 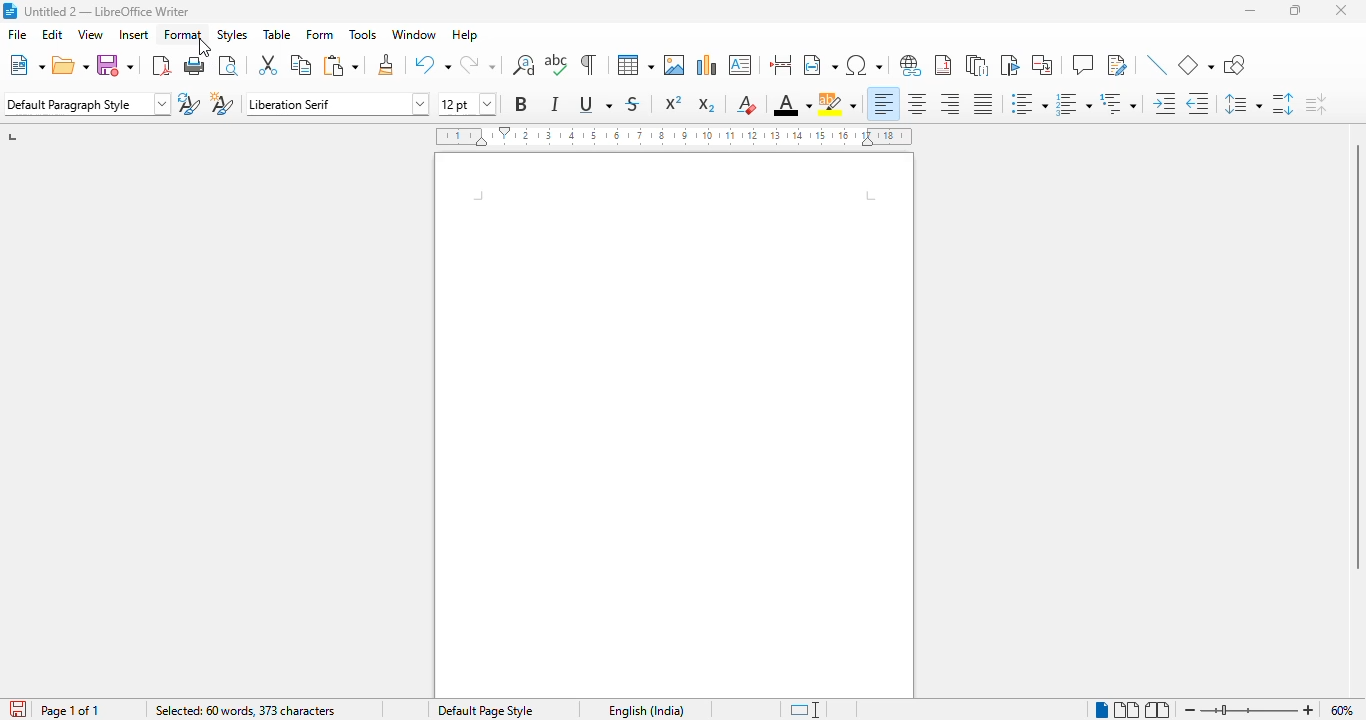 I want to click on edit, so click(x=52, y=34).